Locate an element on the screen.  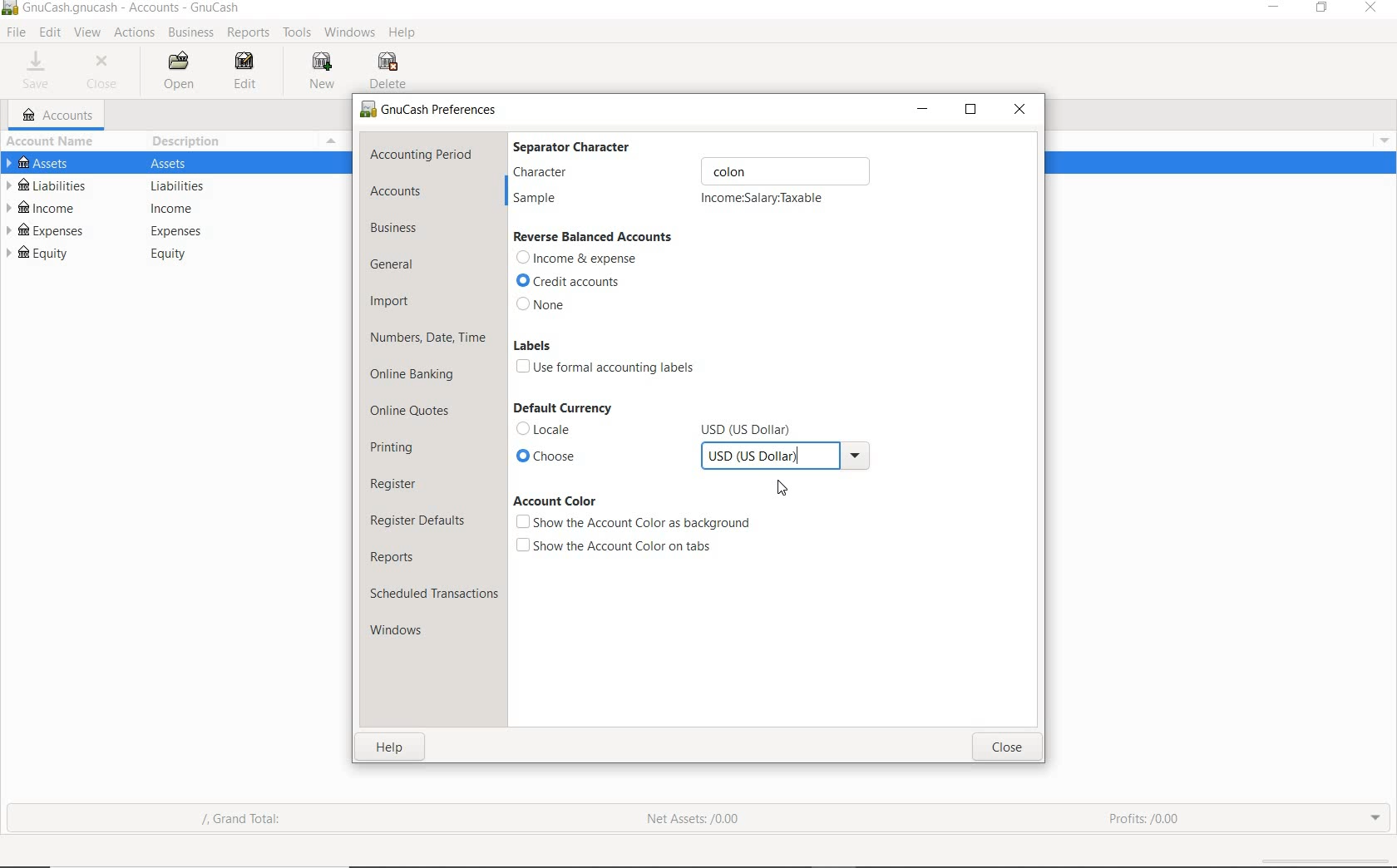
EDIT is located at coordinates (49, 32).